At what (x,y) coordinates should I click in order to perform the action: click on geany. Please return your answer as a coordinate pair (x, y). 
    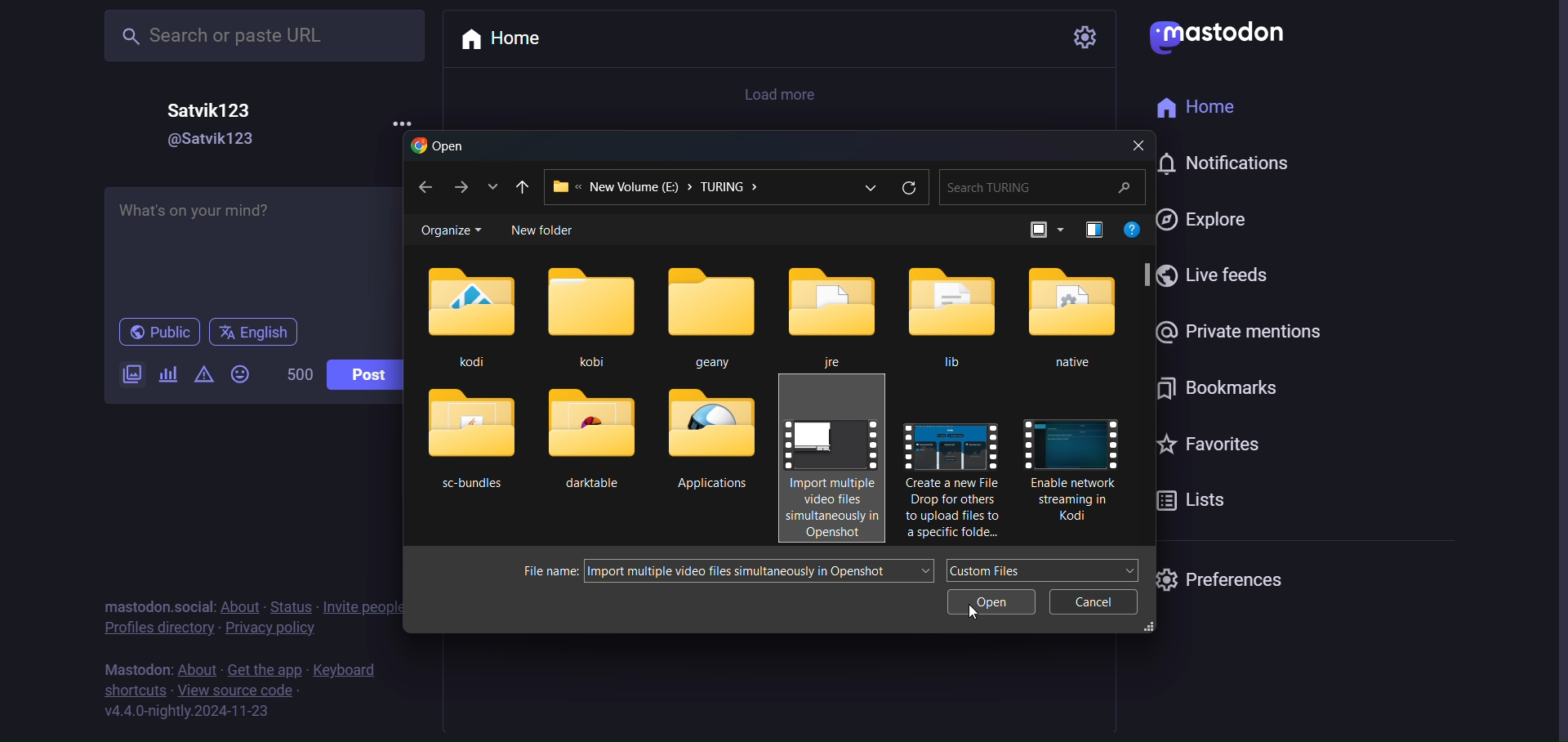
    Looking at the image, I should click on (715, 311).